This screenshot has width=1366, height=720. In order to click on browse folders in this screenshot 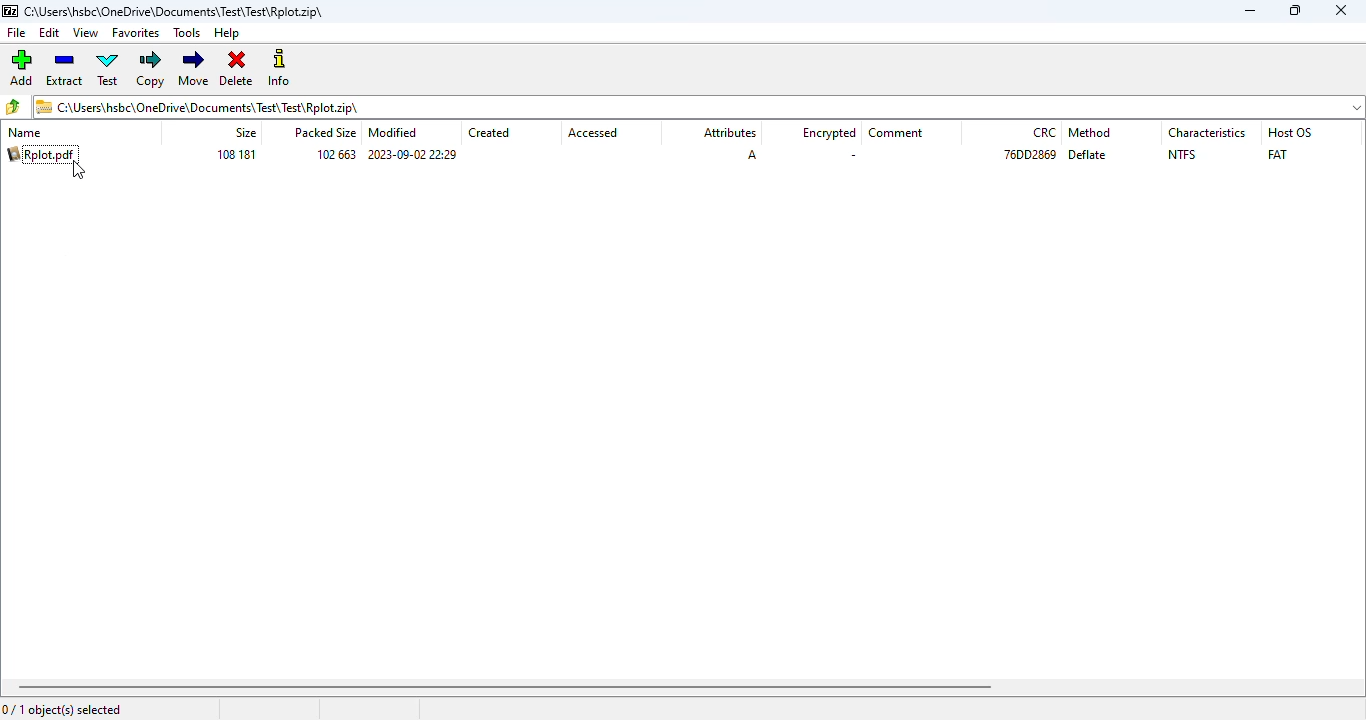, I will do `click(12, 106)`.